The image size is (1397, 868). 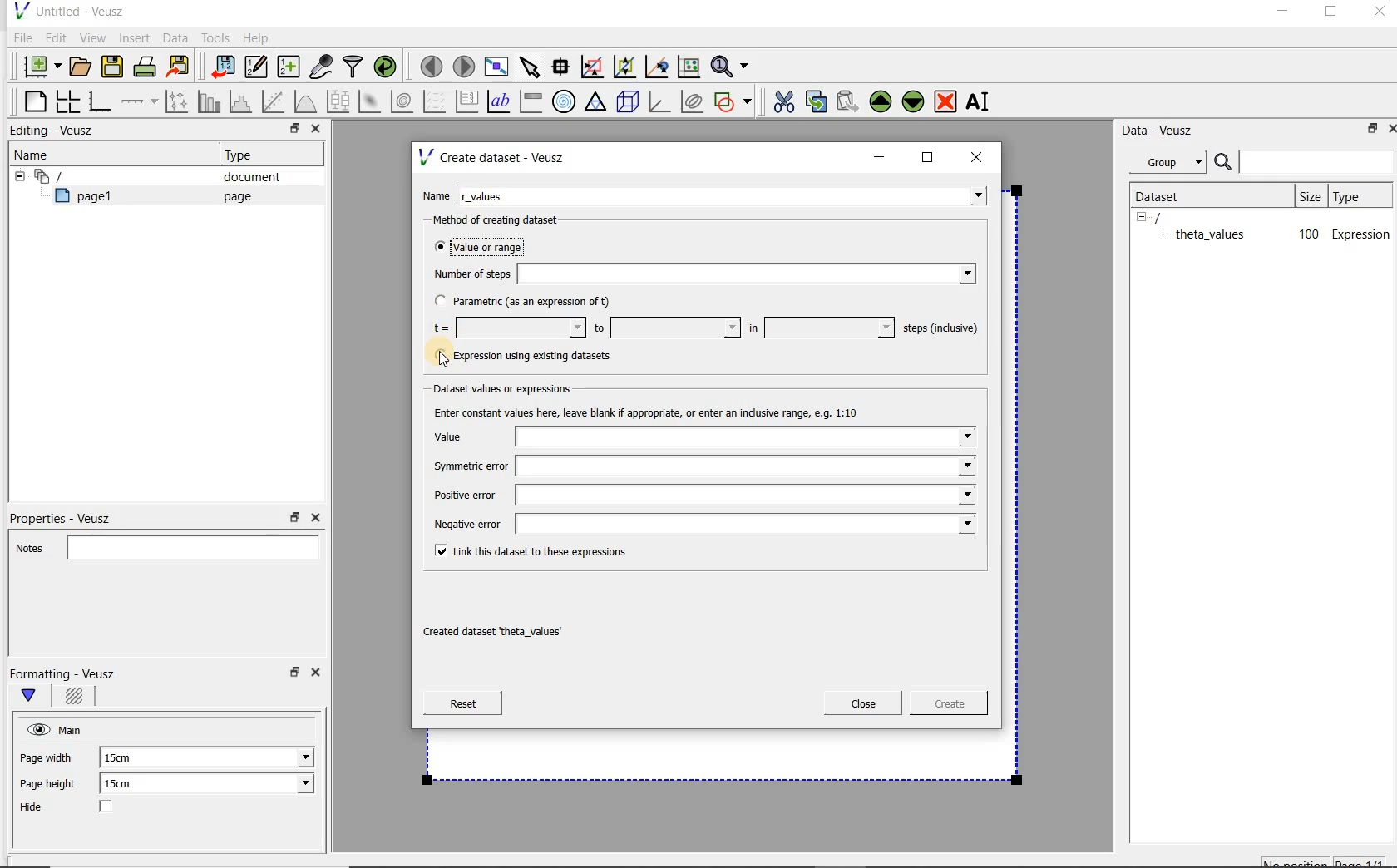 I want to click on size, so click(x=1309, y=194).